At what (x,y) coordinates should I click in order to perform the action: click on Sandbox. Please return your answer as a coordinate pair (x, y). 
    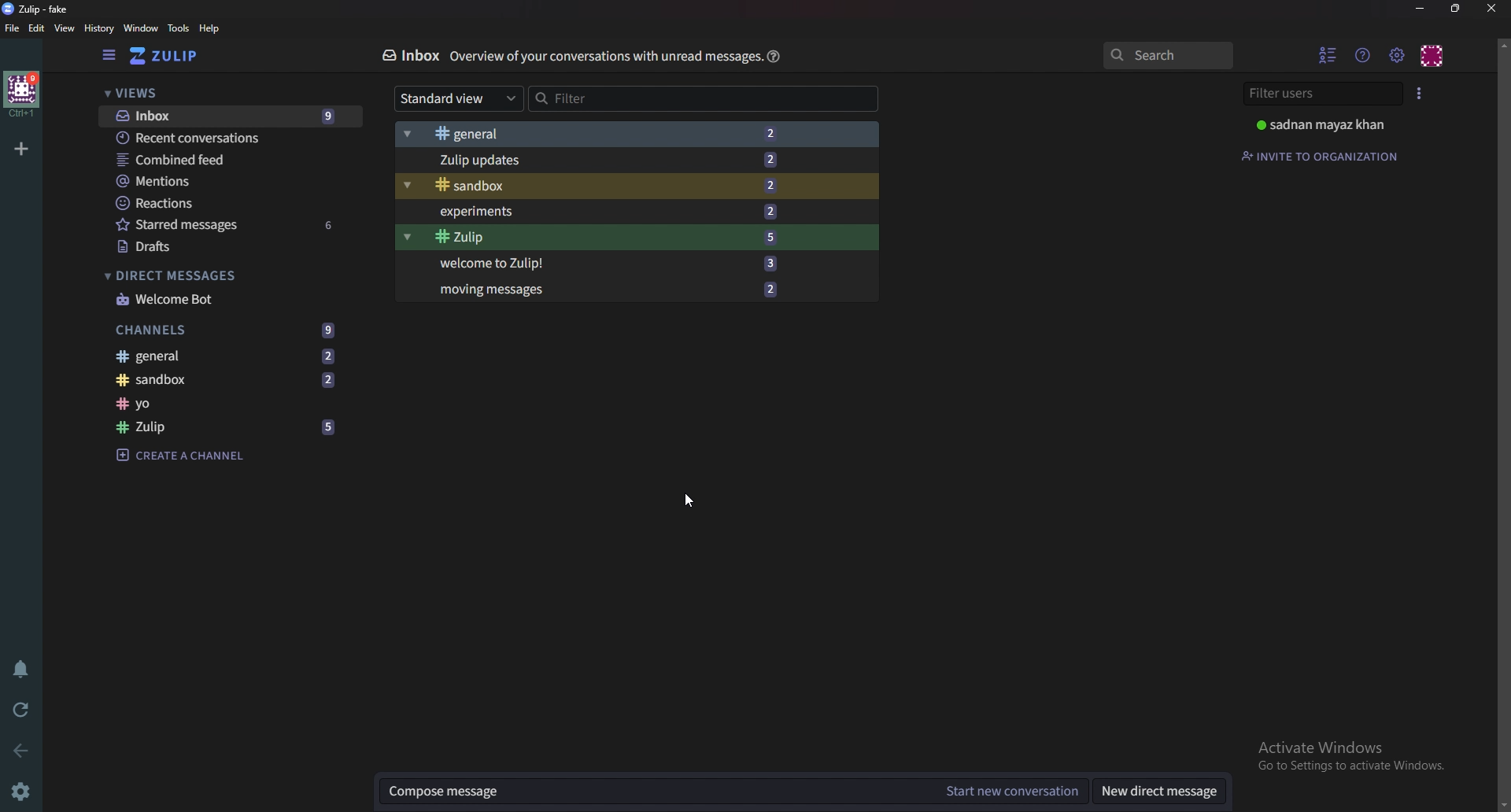
    Looking at the image, I should click on (629, 185).